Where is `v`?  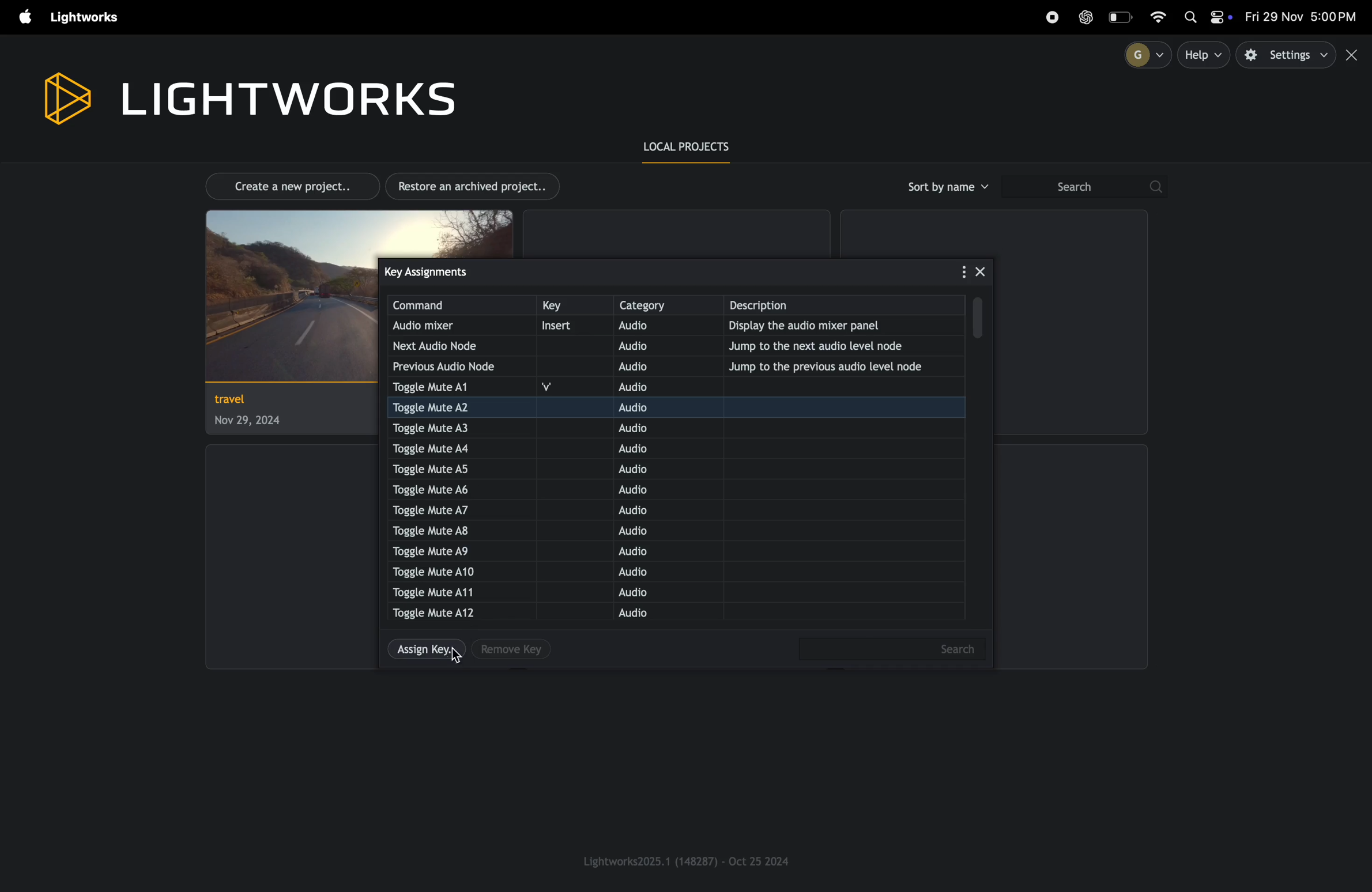
v is located at coordinates (555, 388).